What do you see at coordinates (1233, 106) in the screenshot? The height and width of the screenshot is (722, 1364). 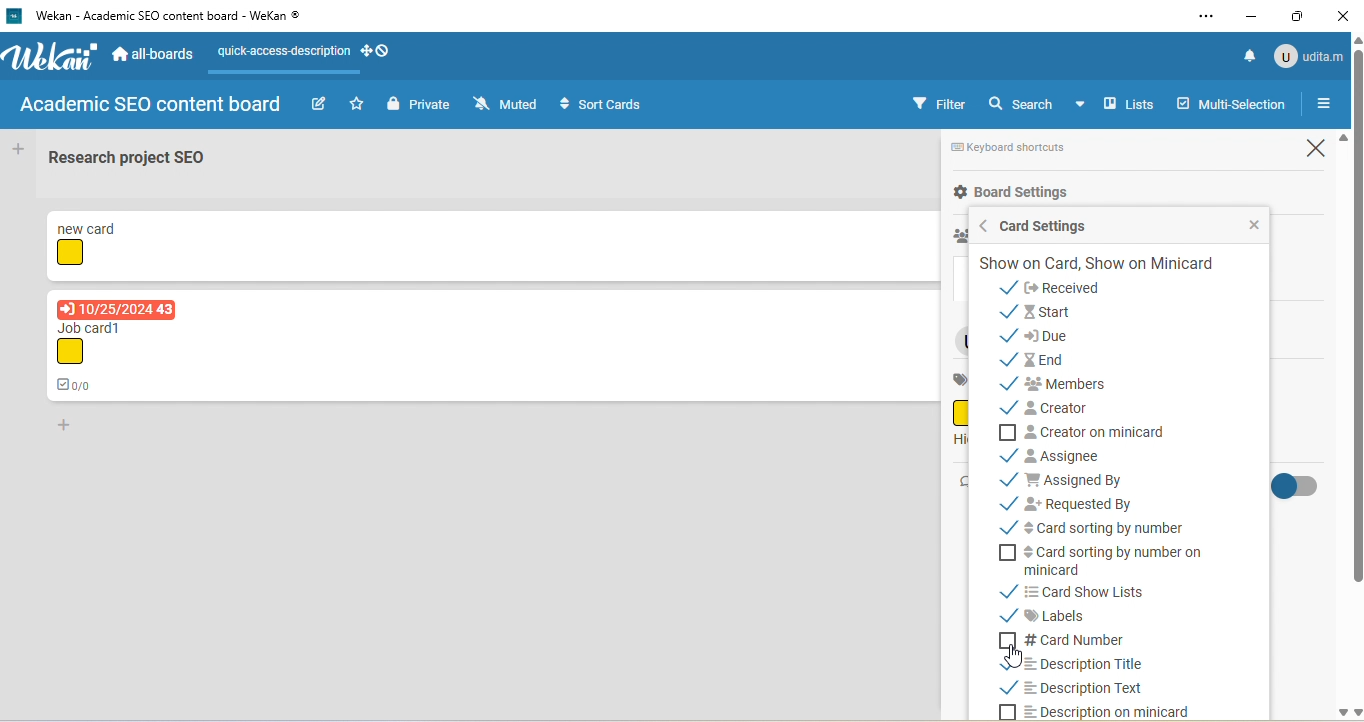 I see `multi selection` at bounding box center [1233, 106].